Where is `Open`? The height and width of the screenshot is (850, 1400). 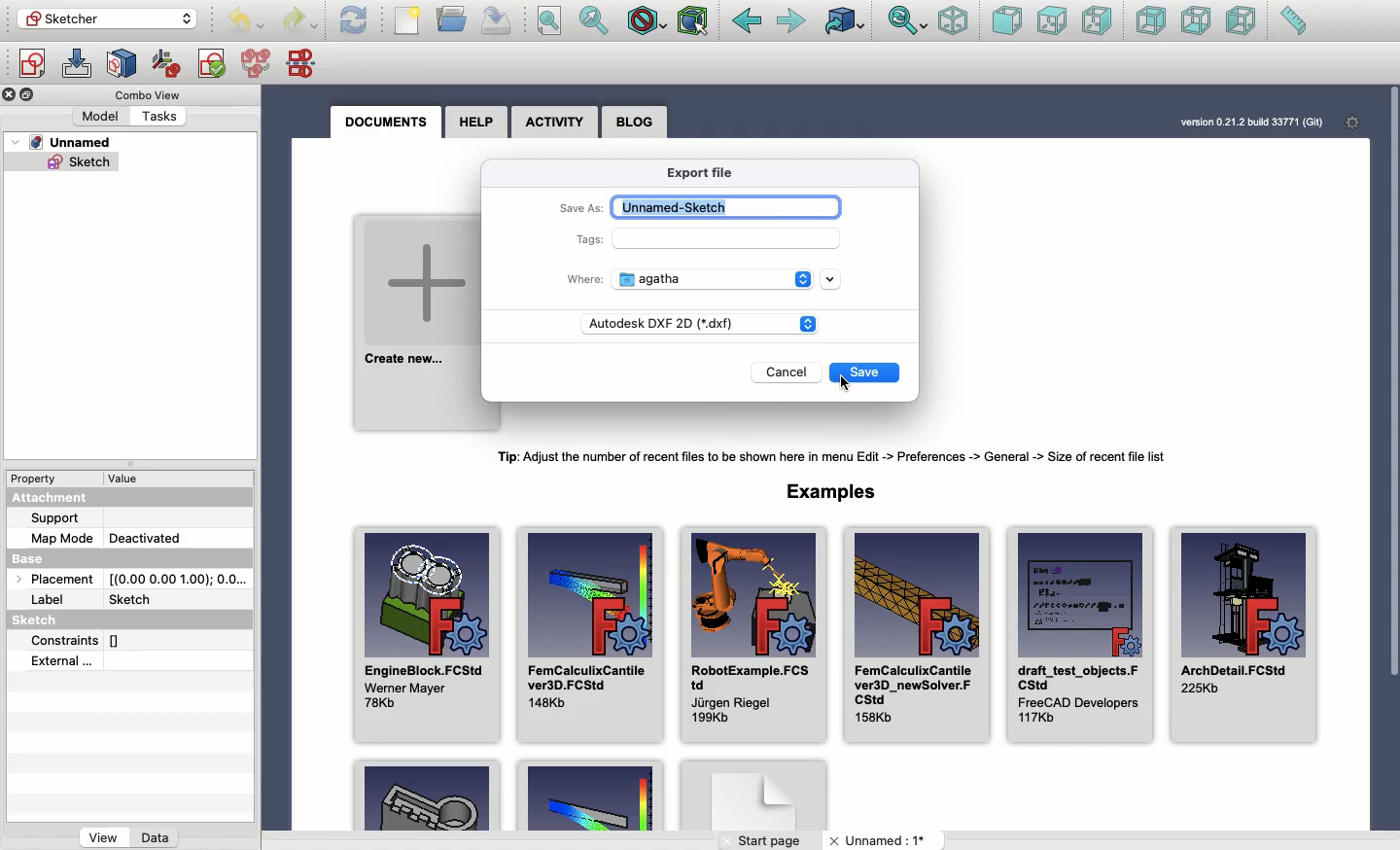 Open is located at coordinates (453, 18).